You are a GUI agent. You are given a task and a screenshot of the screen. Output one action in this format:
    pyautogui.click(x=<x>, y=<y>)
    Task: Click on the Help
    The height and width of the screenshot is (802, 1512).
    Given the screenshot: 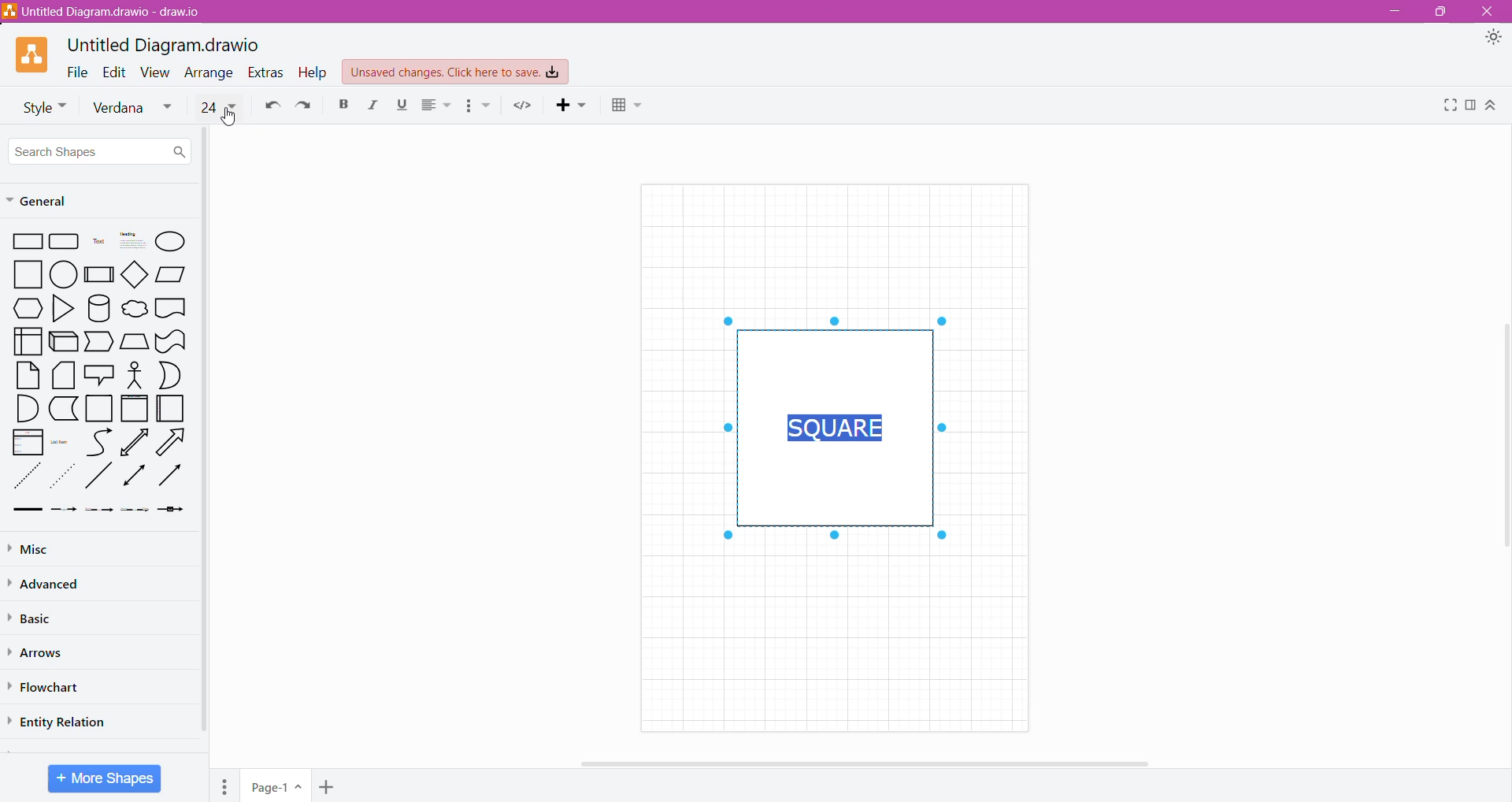 What is the action you would take?
    pyautogui.click(x=313, y=73)
    